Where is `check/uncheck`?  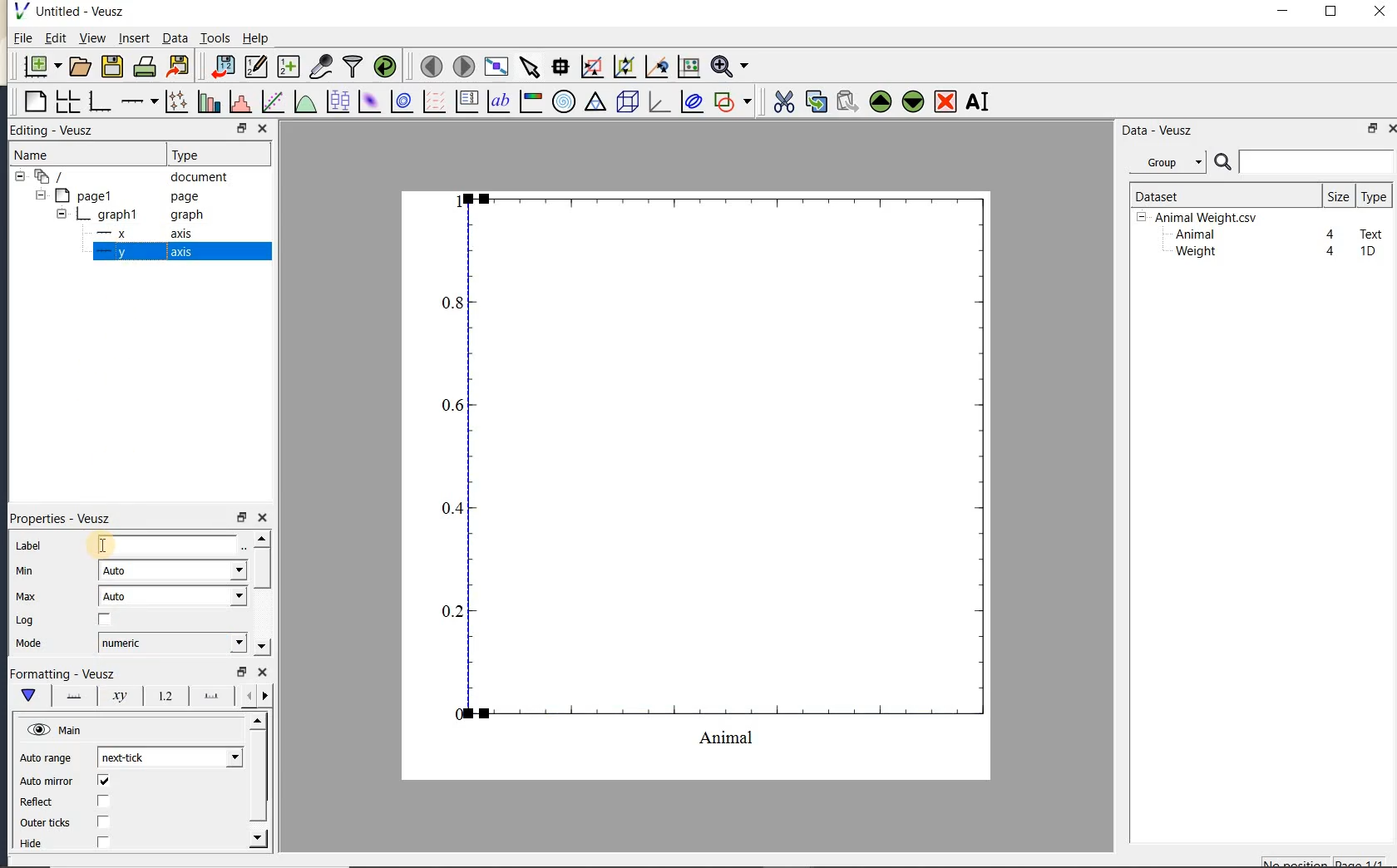
check/uncheck is located at coordinates (102, 802).